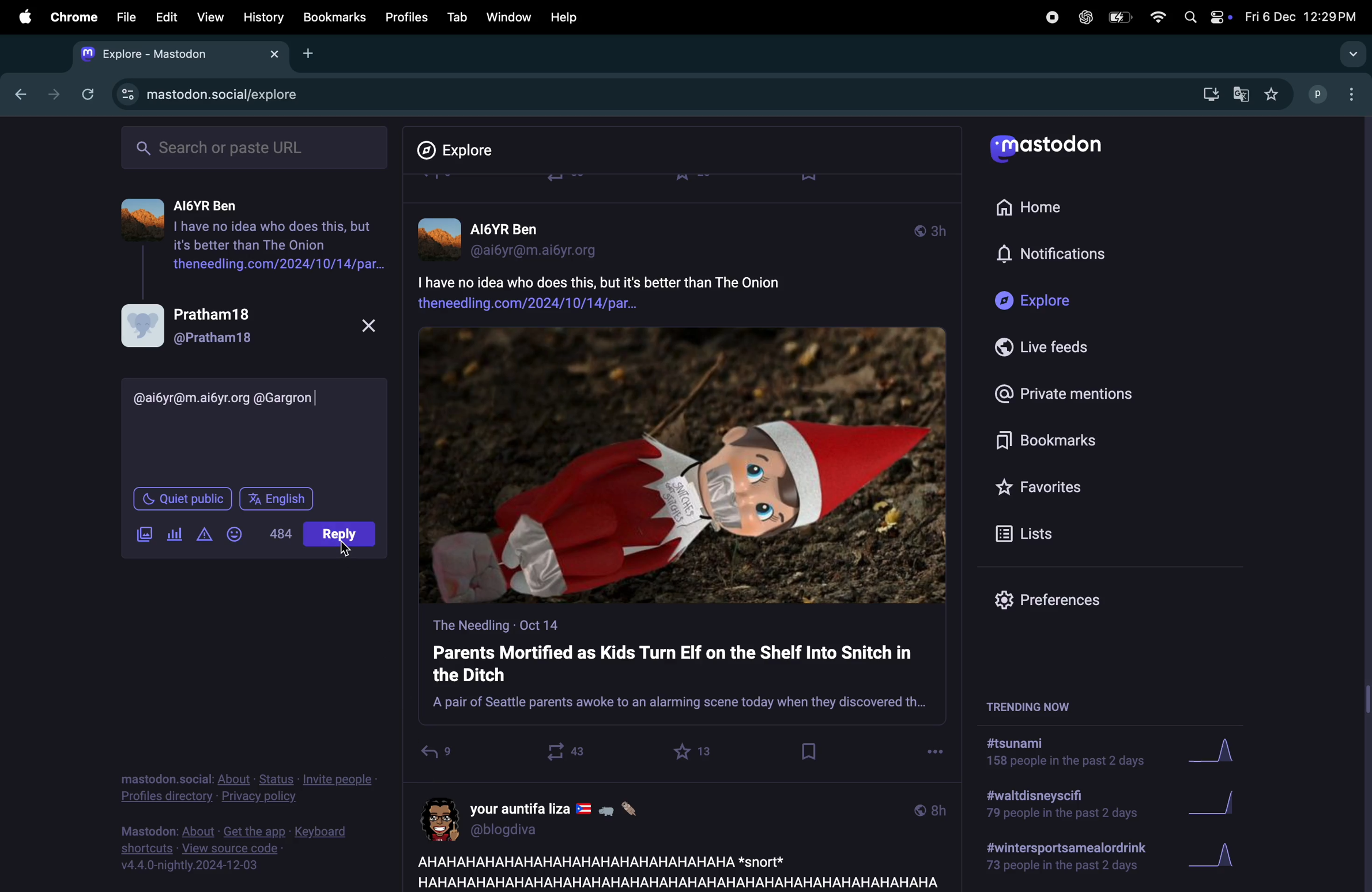 The image size is (1372, 892). I want to click on Live feeds, so click(1051, 347).